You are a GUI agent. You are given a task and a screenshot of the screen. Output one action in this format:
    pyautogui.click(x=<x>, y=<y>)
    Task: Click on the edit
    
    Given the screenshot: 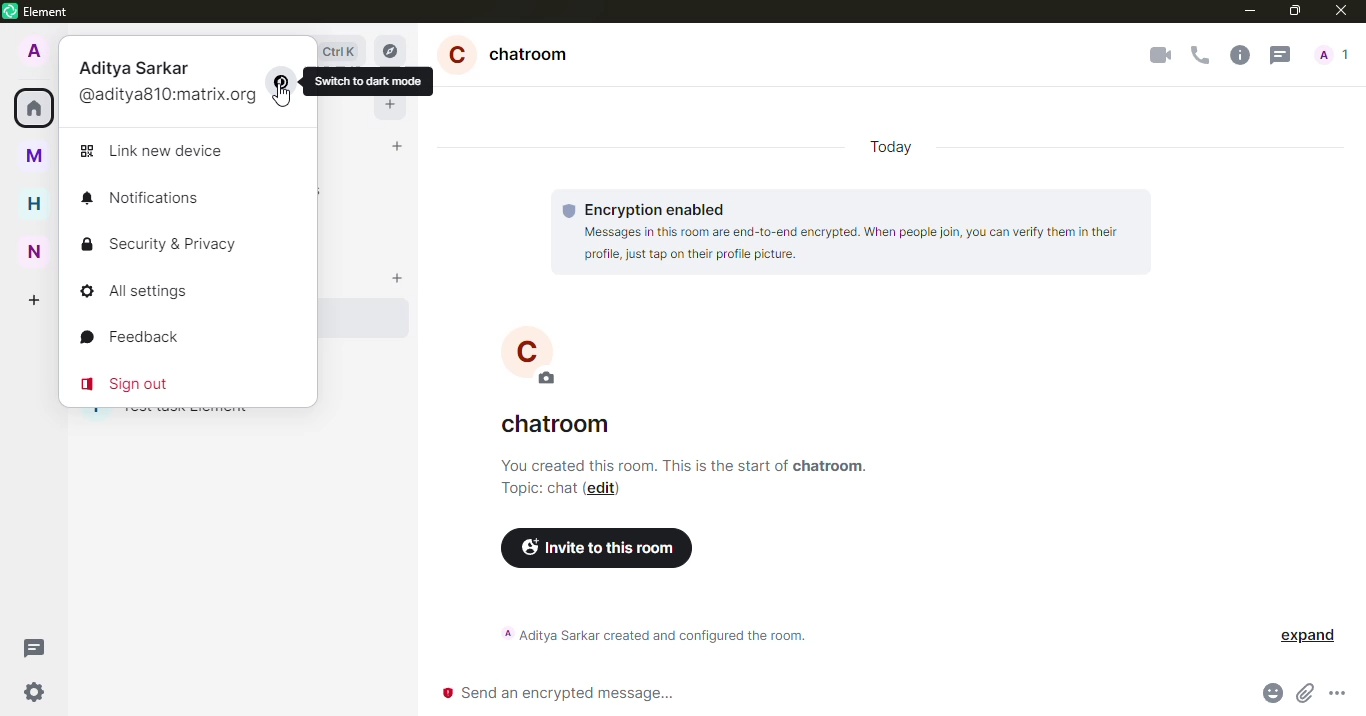 What is the action you would take?
    pyautogui.click(x=601, y=489)
    